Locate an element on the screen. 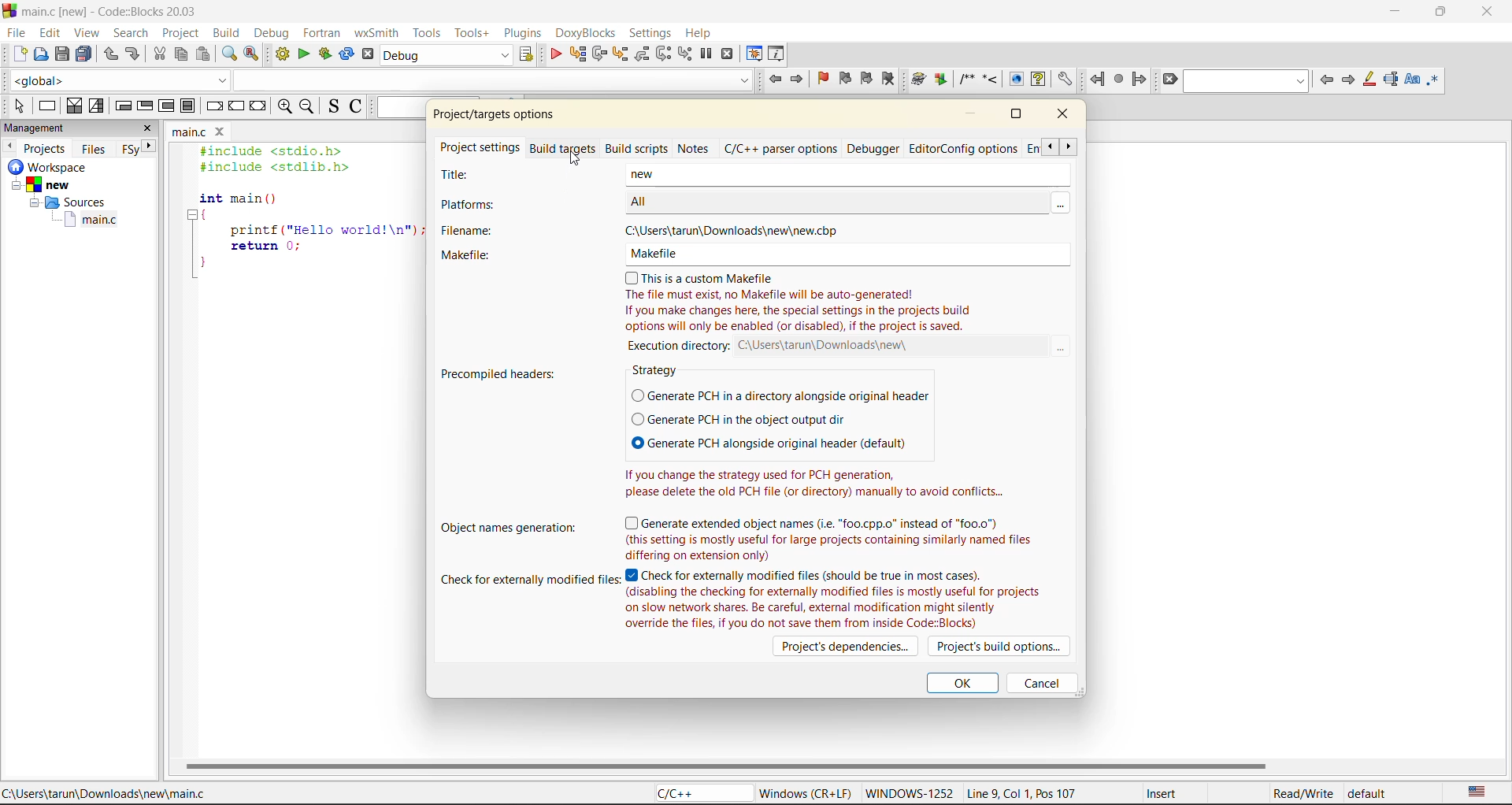 The width and height of the screenshot is (1512, 805). platforms is located at coordinates (469, 204).